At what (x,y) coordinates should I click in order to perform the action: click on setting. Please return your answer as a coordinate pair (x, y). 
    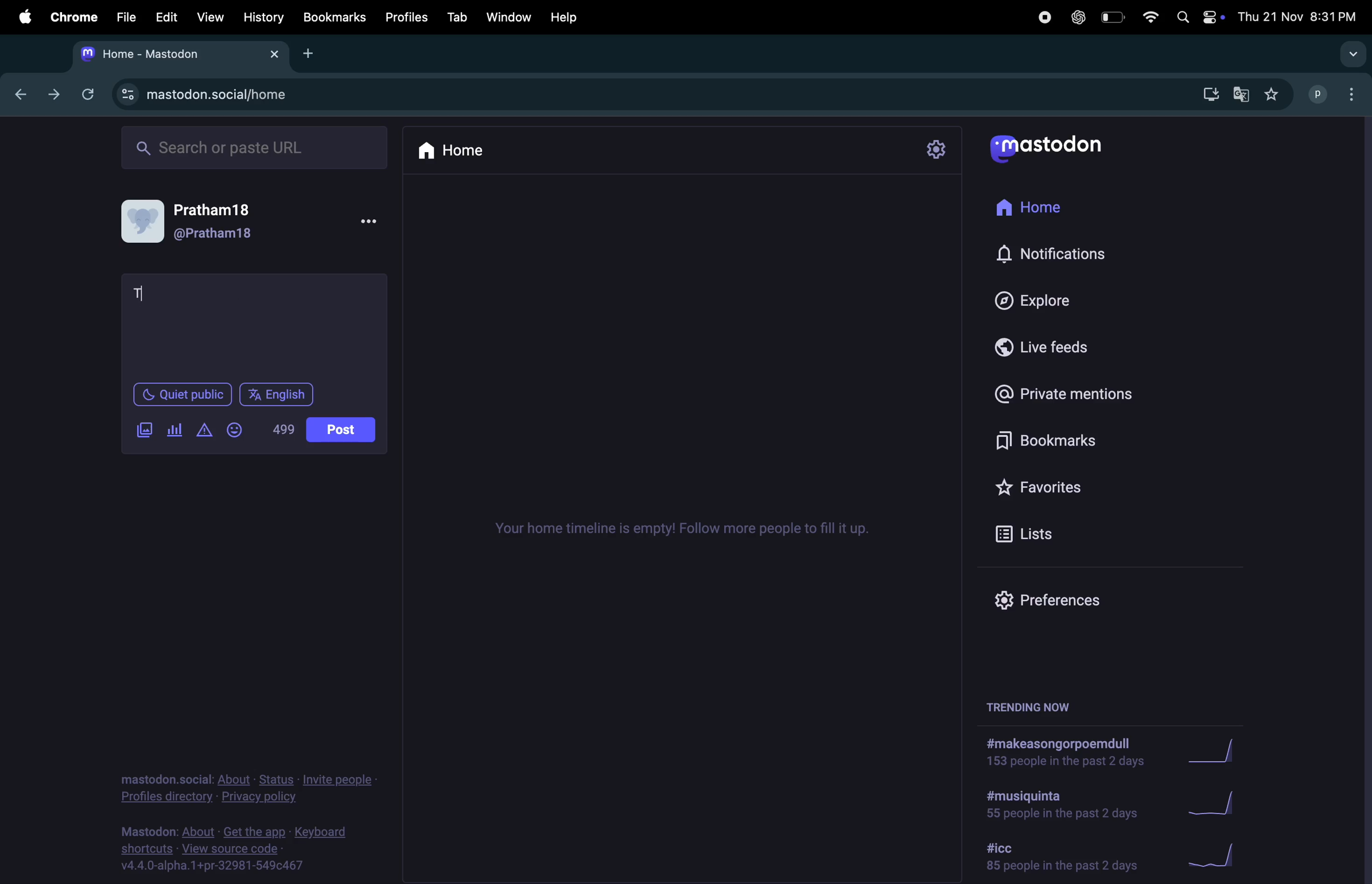
    Looking at the image, I should click on (940, 150).